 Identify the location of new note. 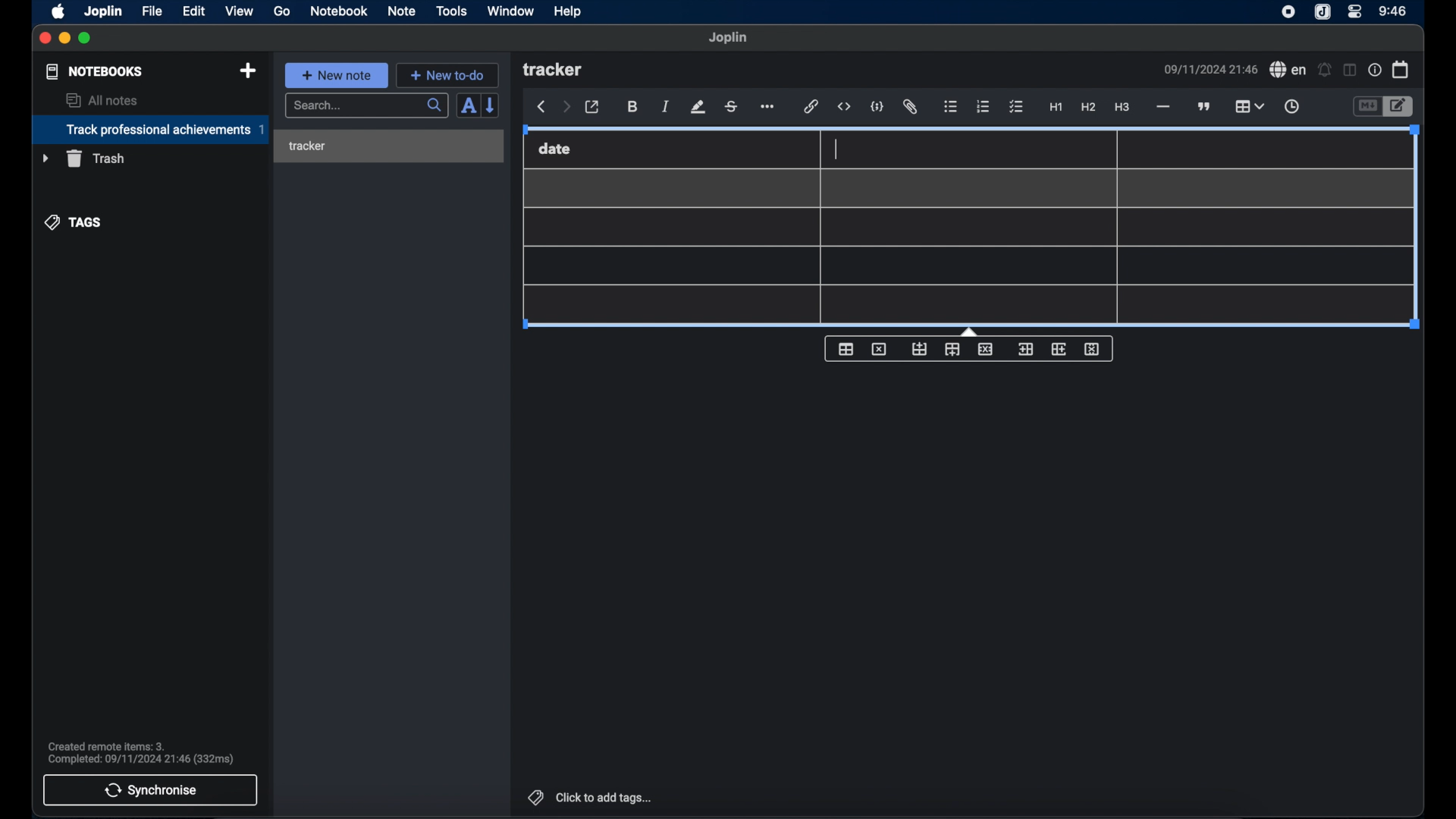
(336, 74).